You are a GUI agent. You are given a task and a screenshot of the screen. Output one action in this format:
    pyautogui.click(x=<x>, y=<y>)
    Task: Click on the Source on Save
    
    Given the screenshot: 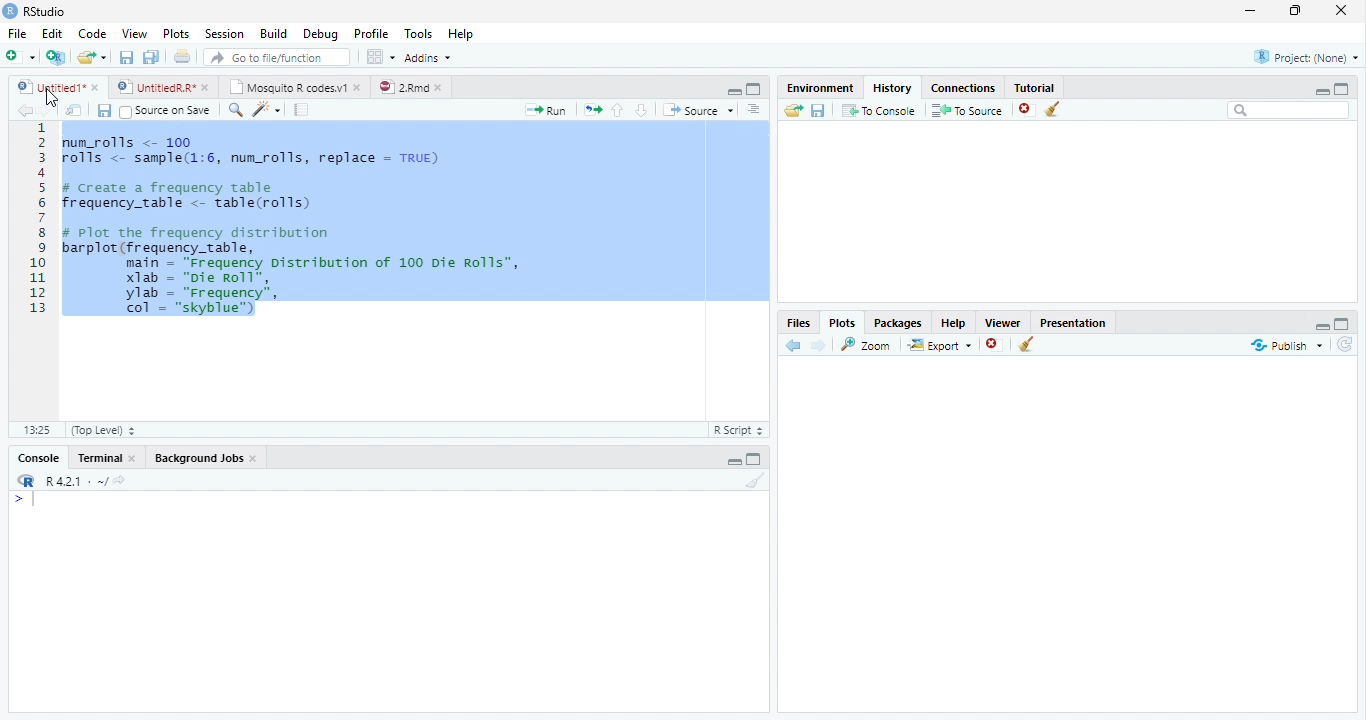 What is the action you would take?
    pyautogui.click(x=165, y=111)
    